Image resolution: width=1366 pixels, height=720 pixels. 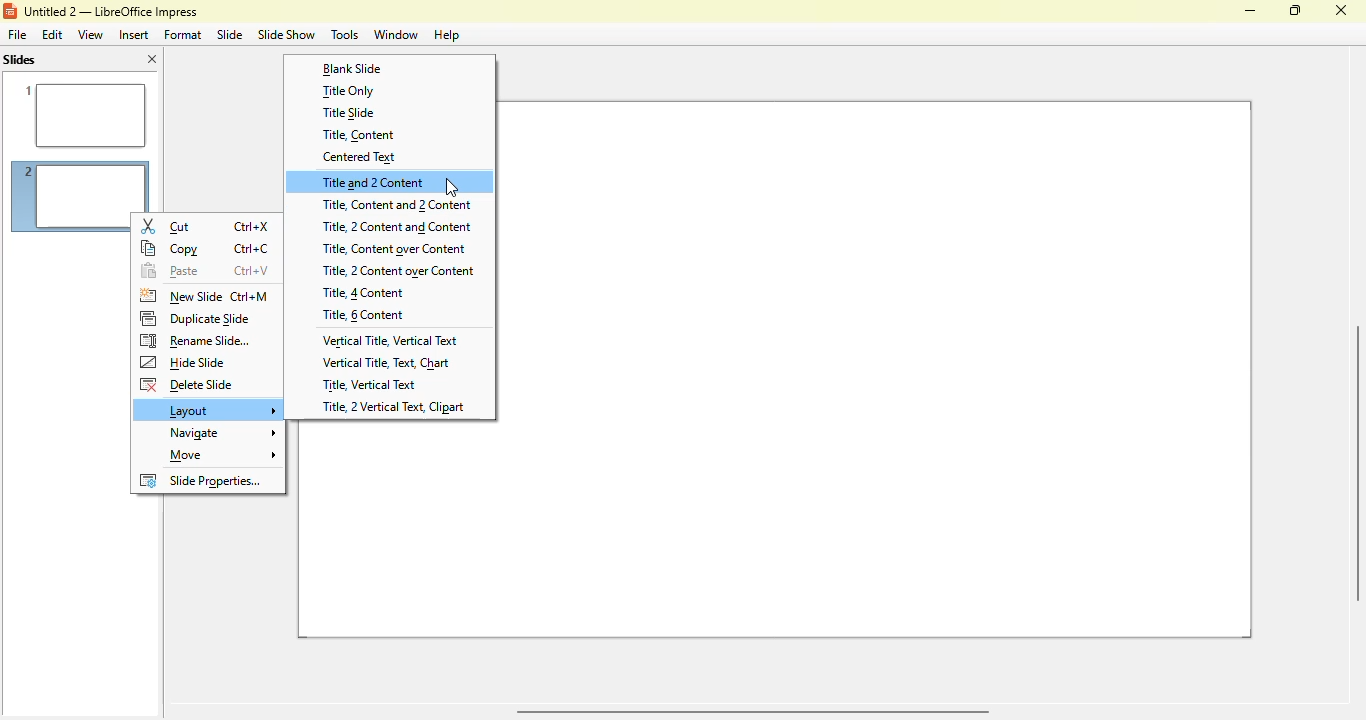 What do you see at coordinates (363, 294) in the screenshot?
I see `title, 4 content` at bounding box center [363, 294].